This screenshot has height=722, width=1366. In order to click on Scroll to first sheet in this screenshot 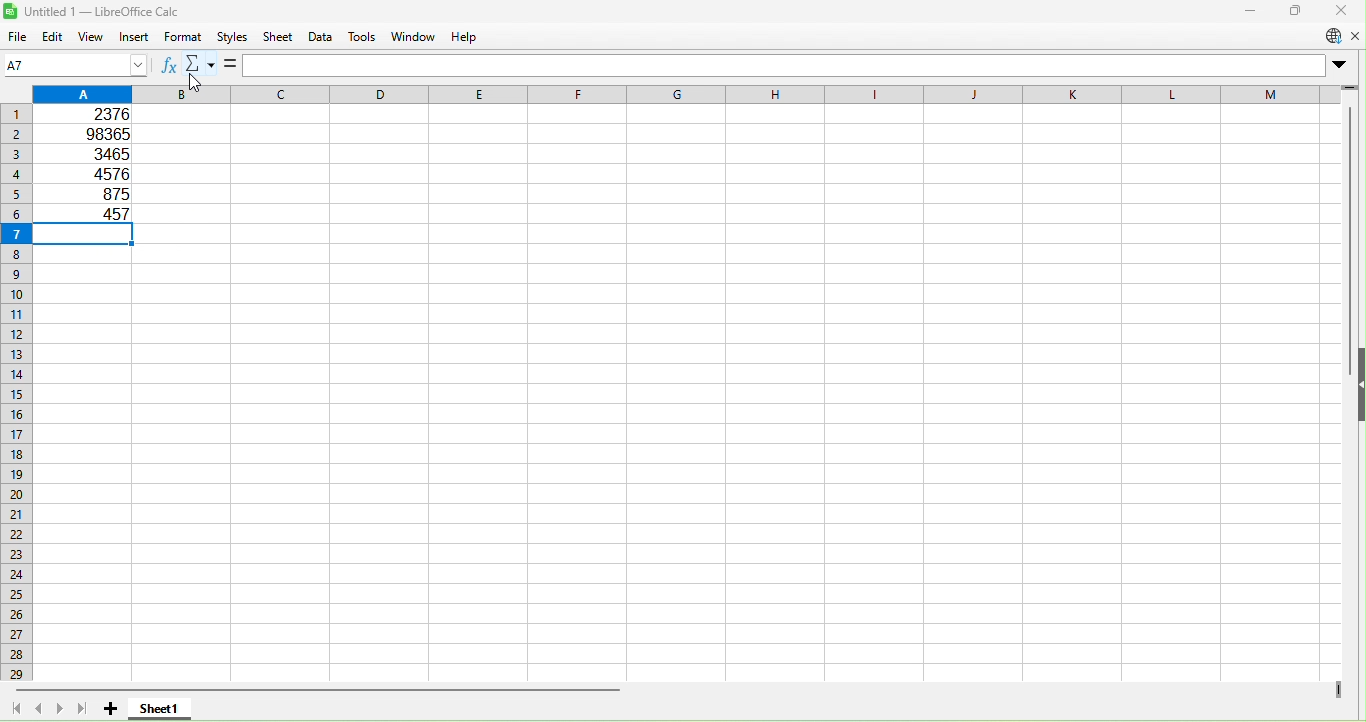, I will do `click(15, 706)`.